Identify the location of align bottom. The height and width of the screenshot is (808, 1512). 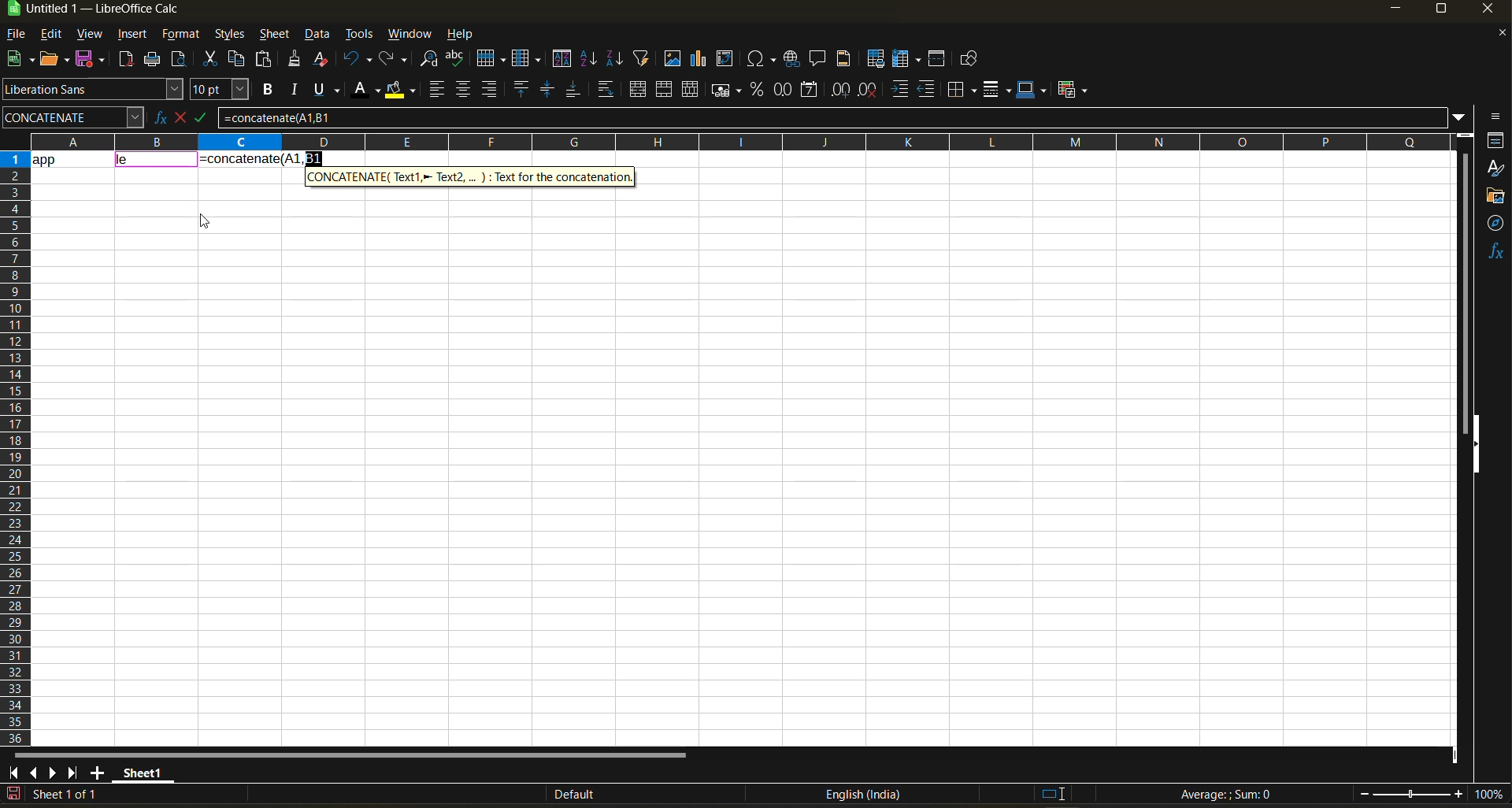
(574, 89).